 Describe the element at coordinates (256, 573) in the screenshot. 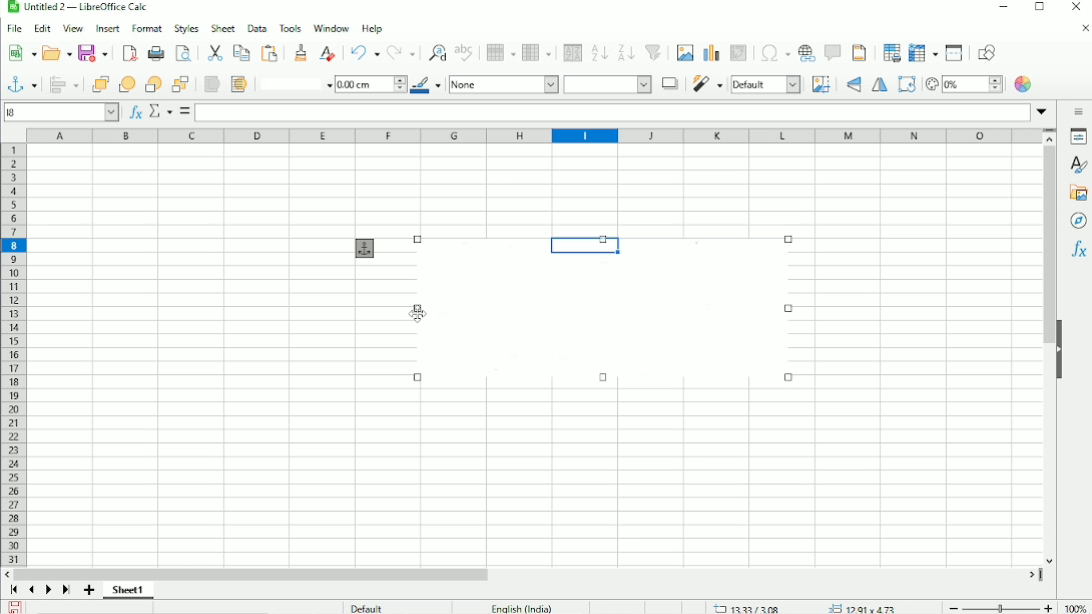

I see `Horizontal scrollbar` at that location.